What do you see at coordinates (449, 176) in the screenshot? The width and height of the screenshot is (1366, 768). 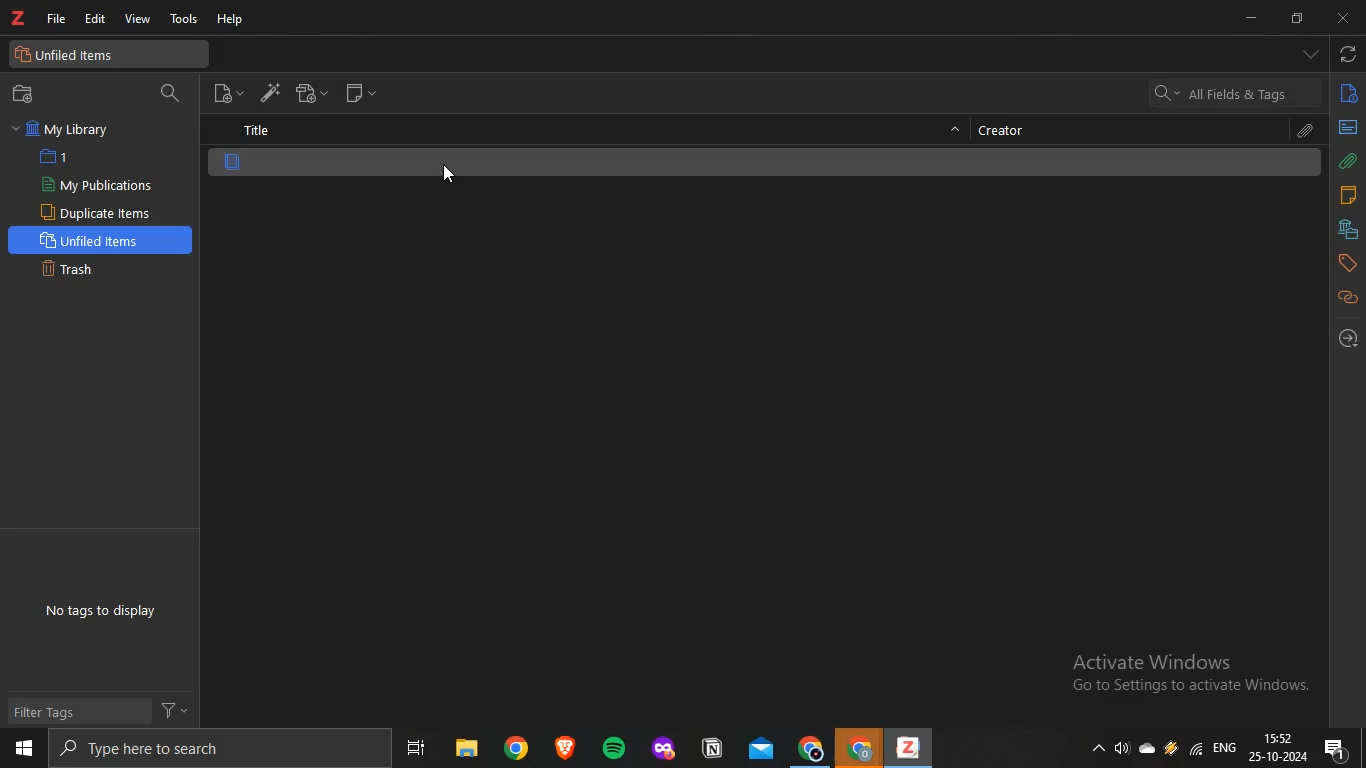 I see `cursor` at bounding box center [449, 176].